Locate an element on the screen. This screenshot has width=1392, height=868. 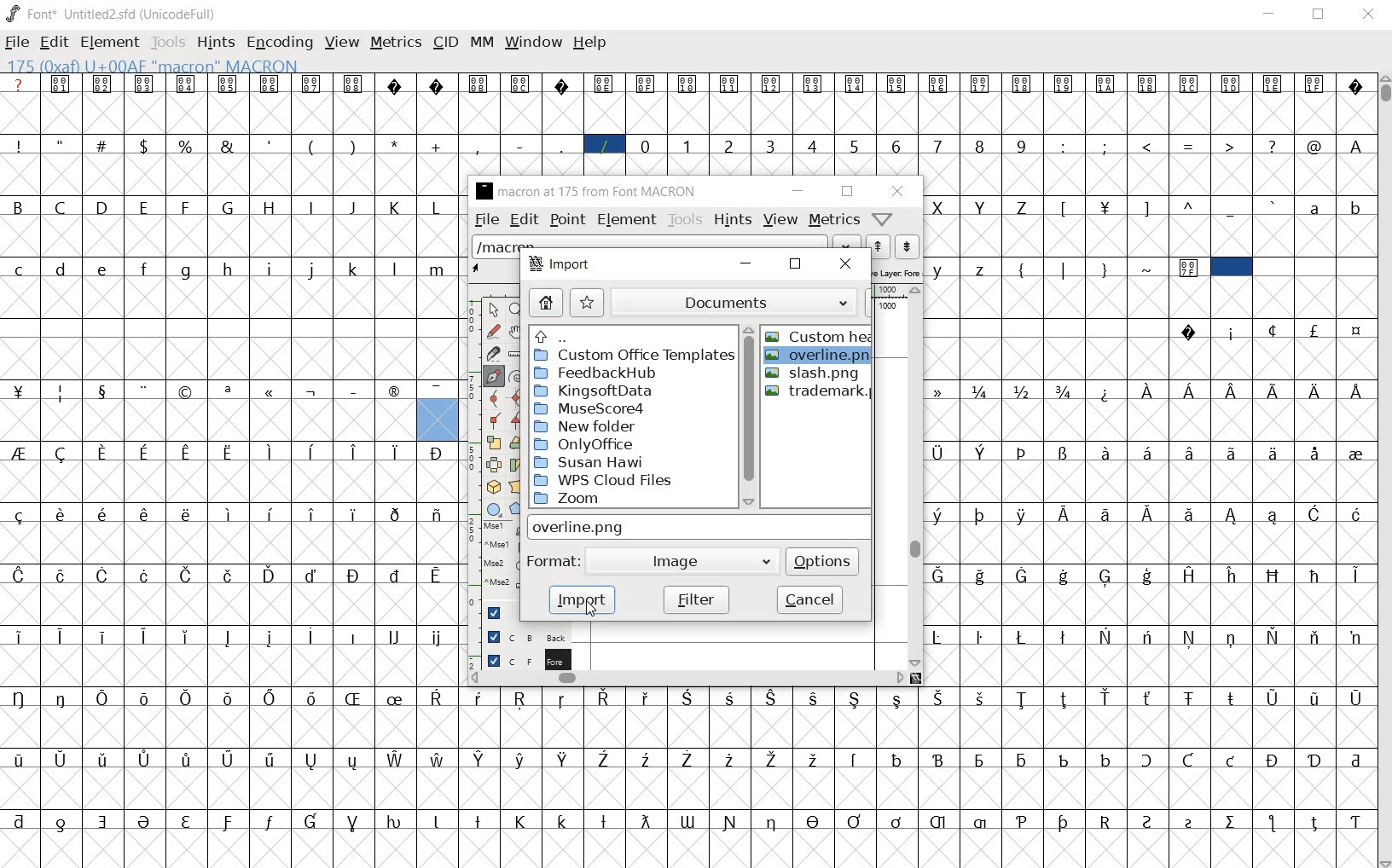
Symbol is located at coordinates (1066, 698).